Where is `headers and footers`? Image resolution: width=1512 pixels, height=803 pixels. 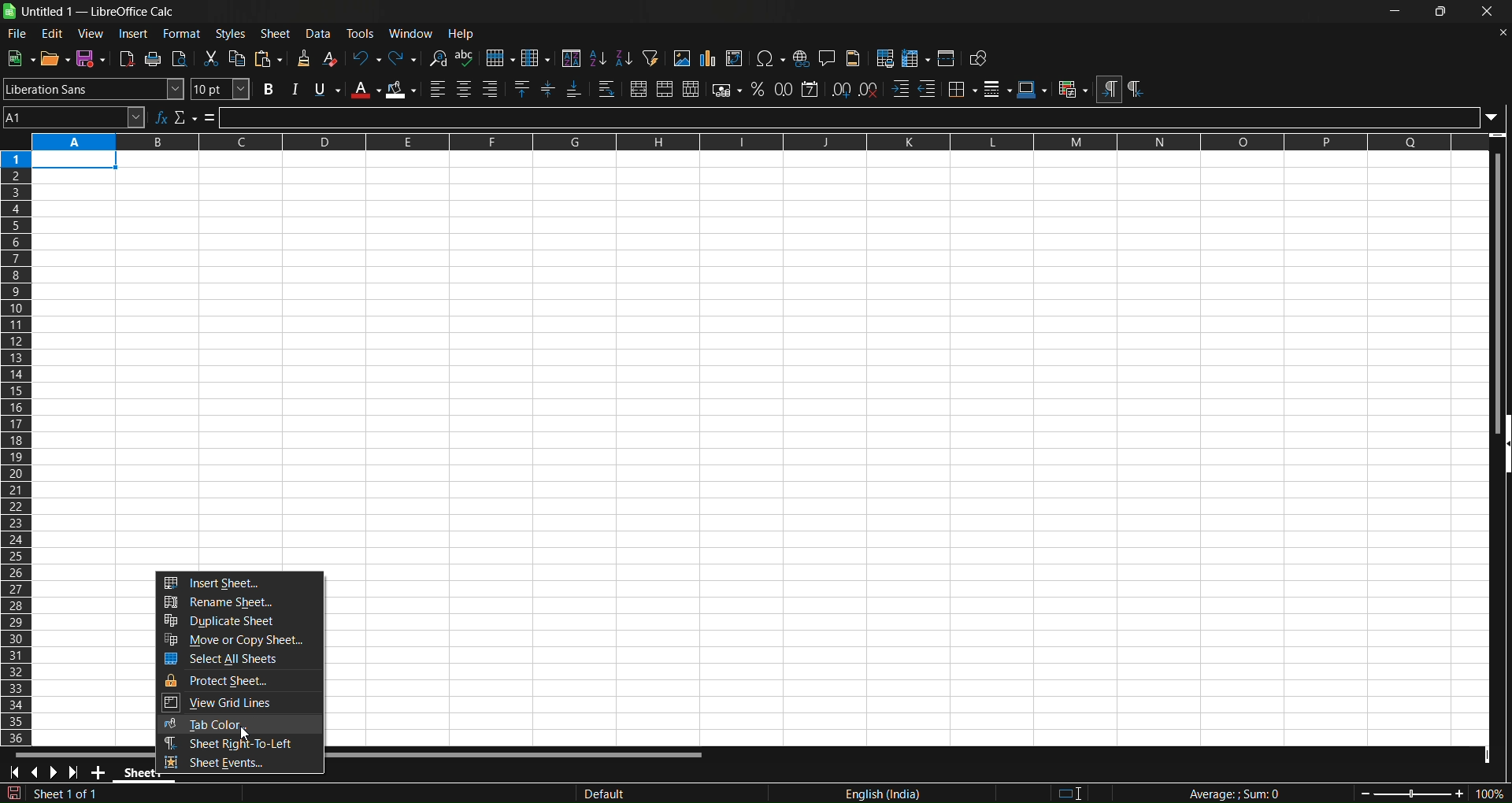
headers and footers is located at coordinates (855, 58).